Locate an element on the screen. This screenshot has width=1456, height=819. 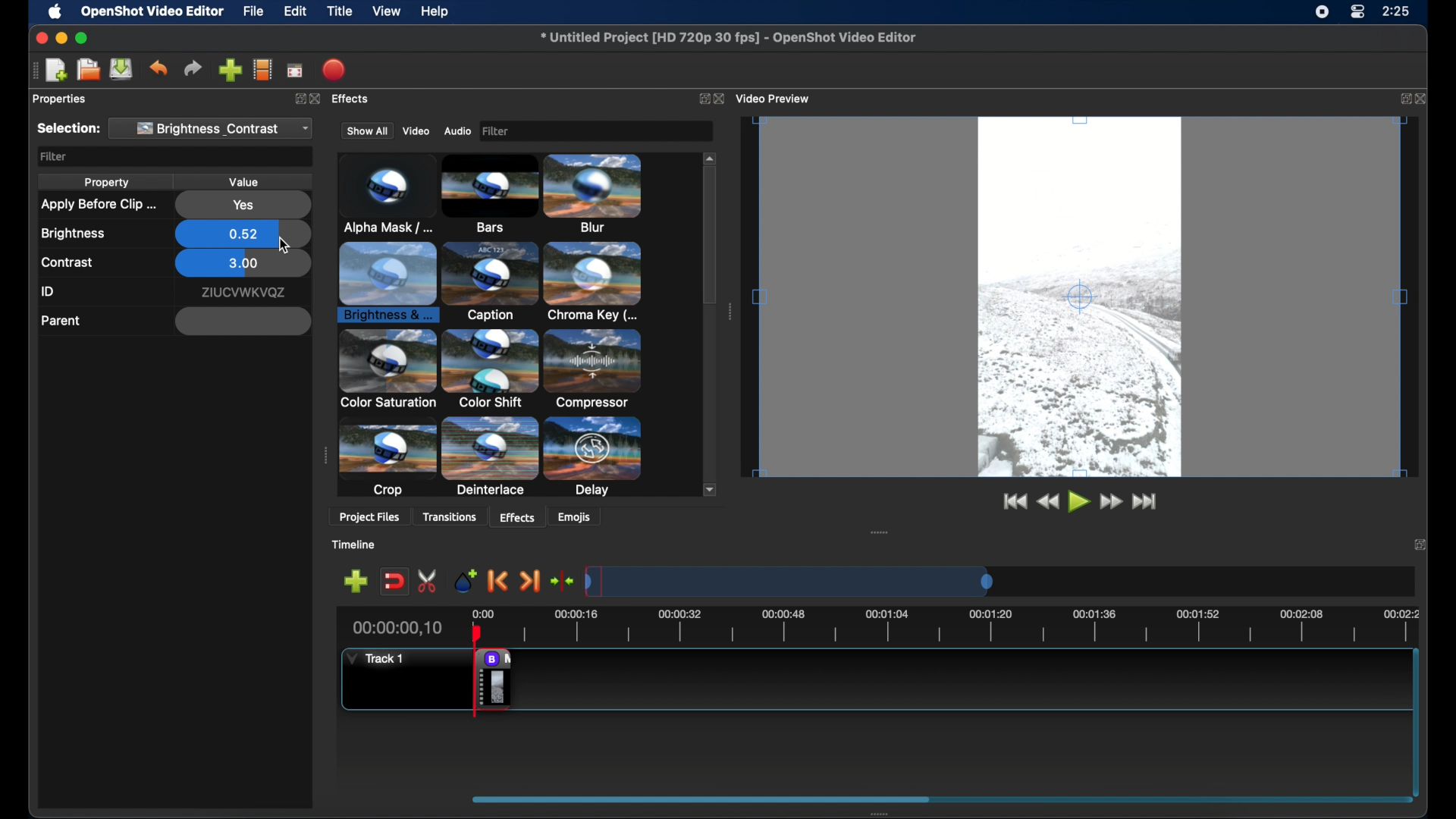
project files is located at coordinates (369, 517).